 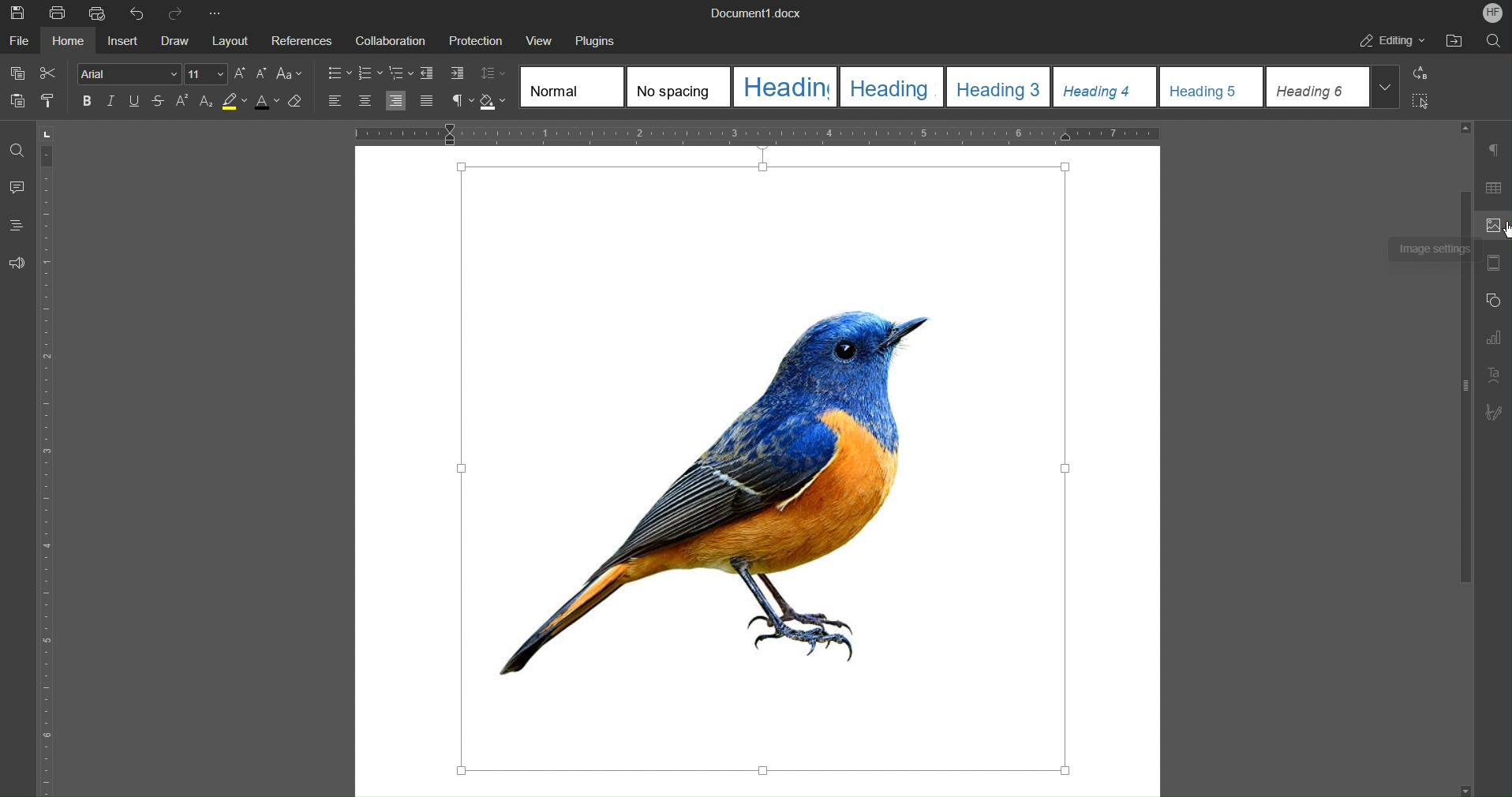 I want to click on Headings, so click(x=17, y=226).